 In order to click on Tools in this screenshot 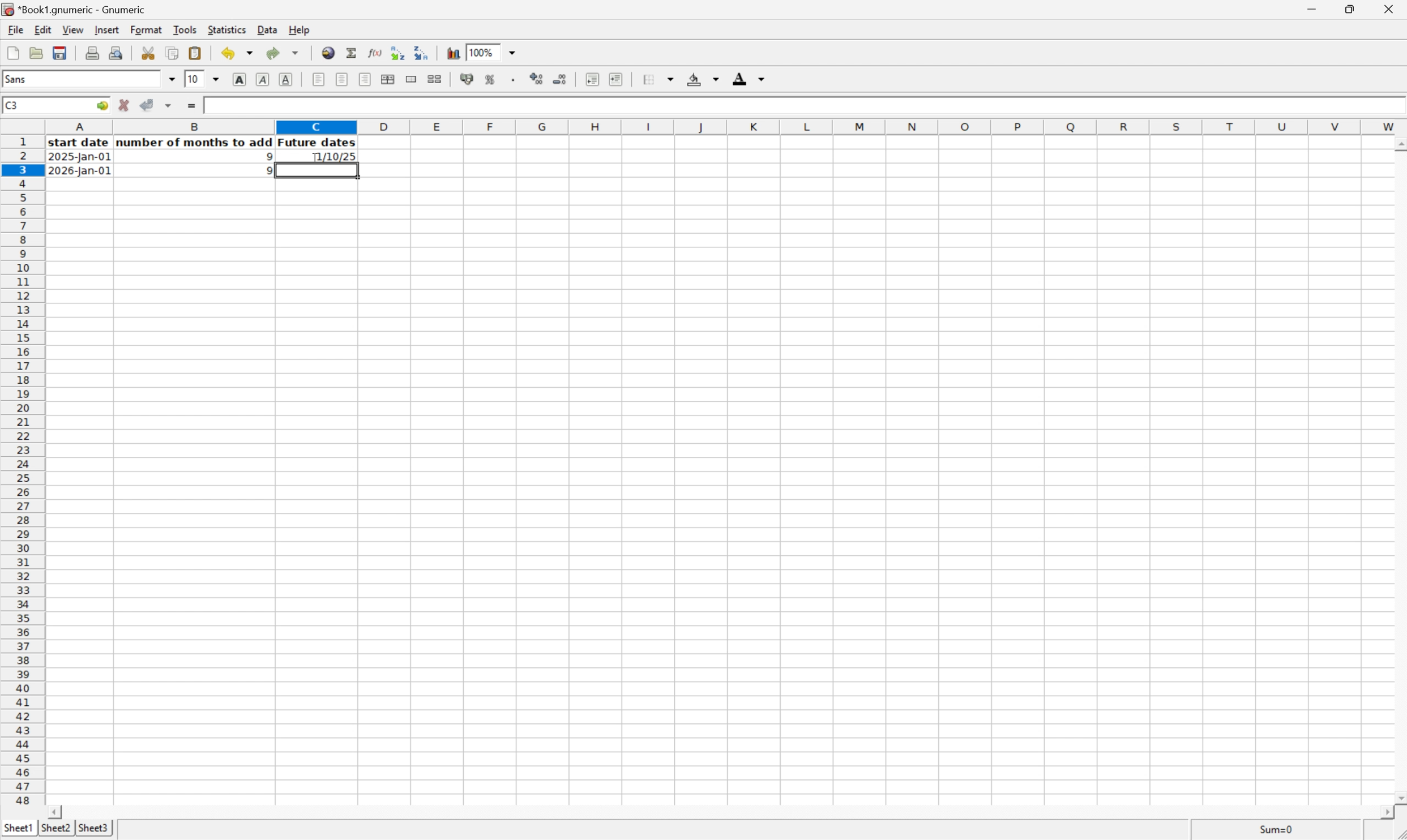, I will do `click(186, 29)`.